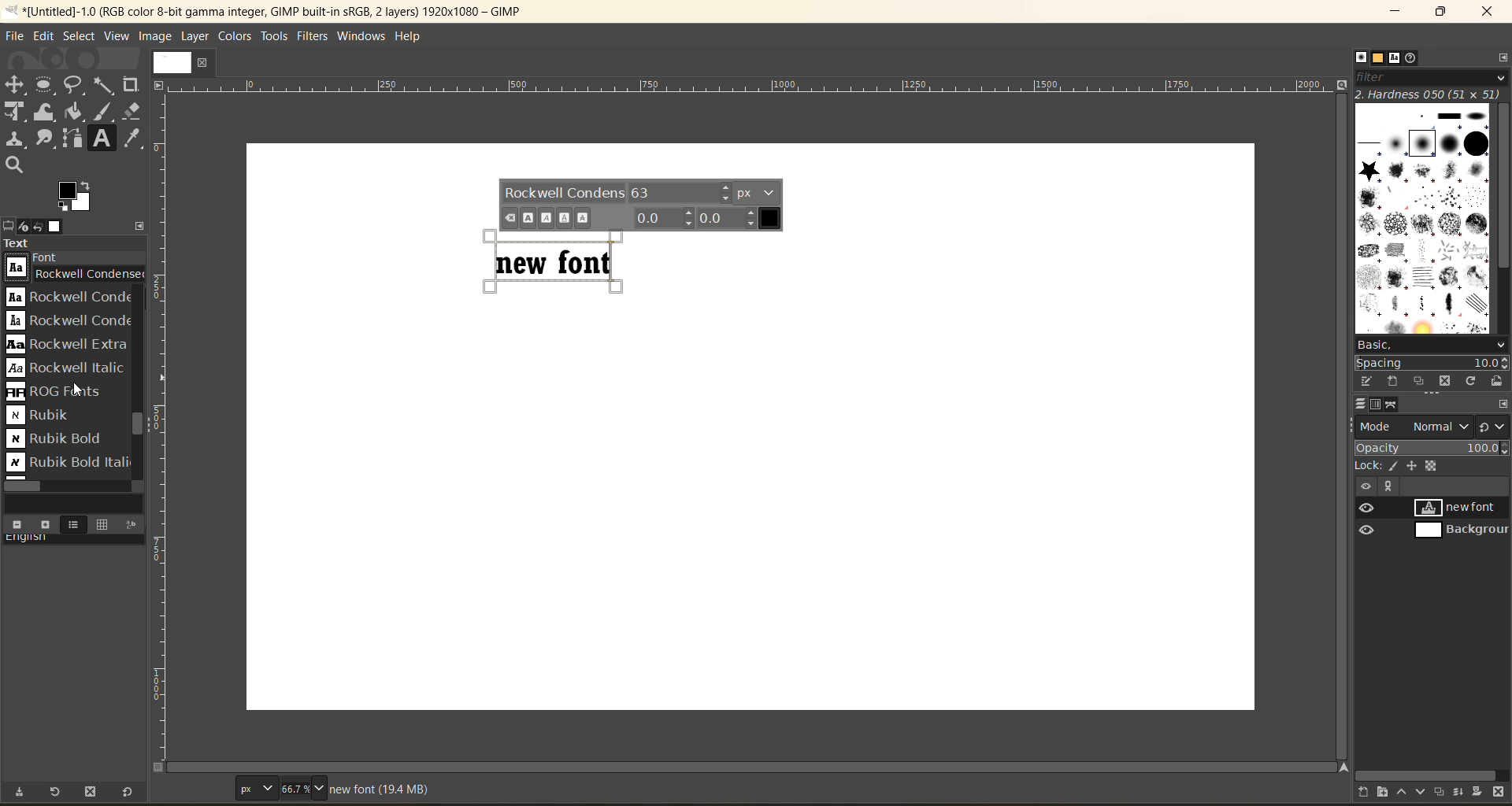  Describe the element at coordinates (1503, 404) in the screenshot. I see `configure` at that location.